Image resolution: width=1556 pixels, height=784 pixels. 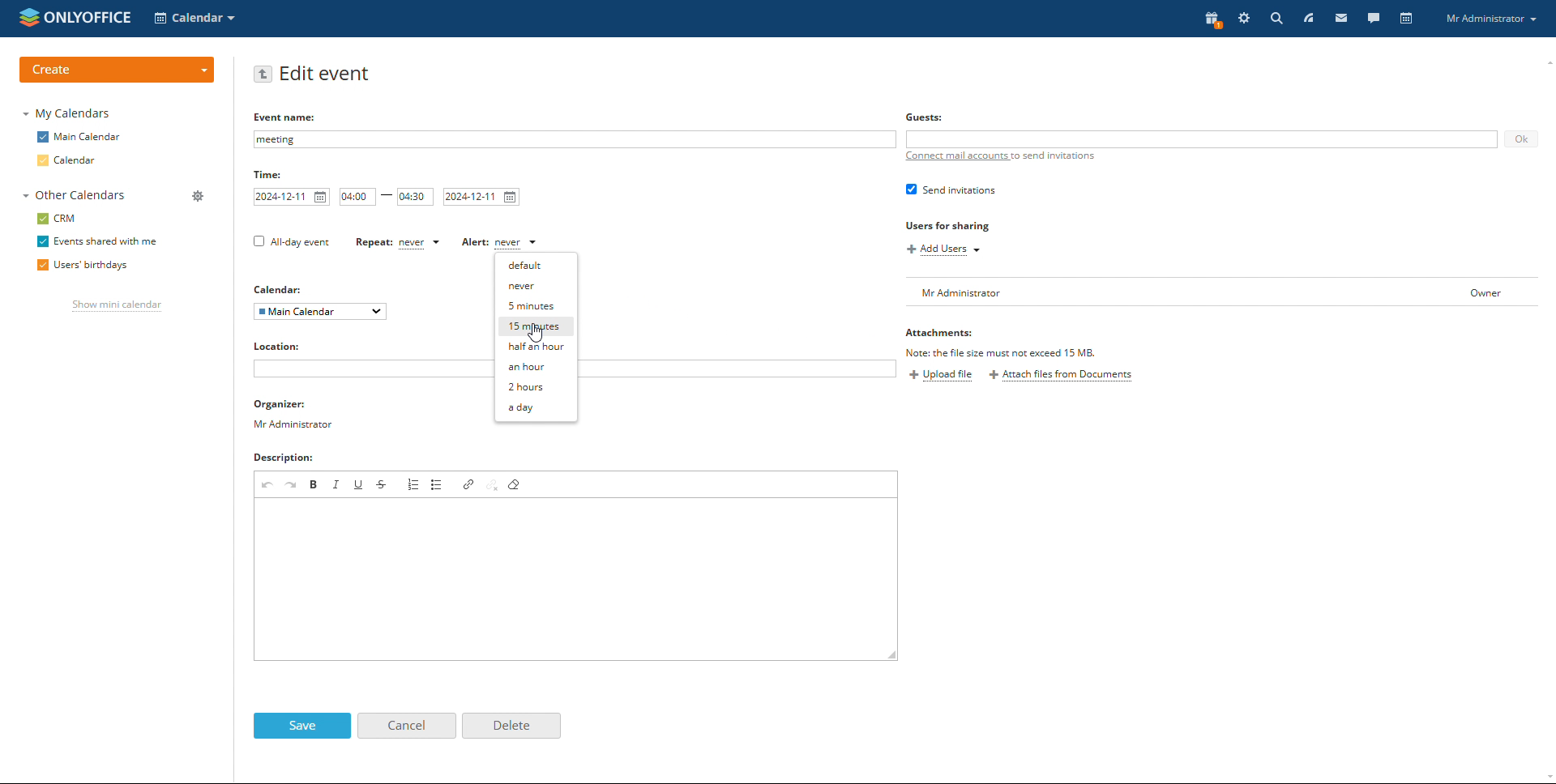 I want to click on mail, so click(x=1346, y=19).